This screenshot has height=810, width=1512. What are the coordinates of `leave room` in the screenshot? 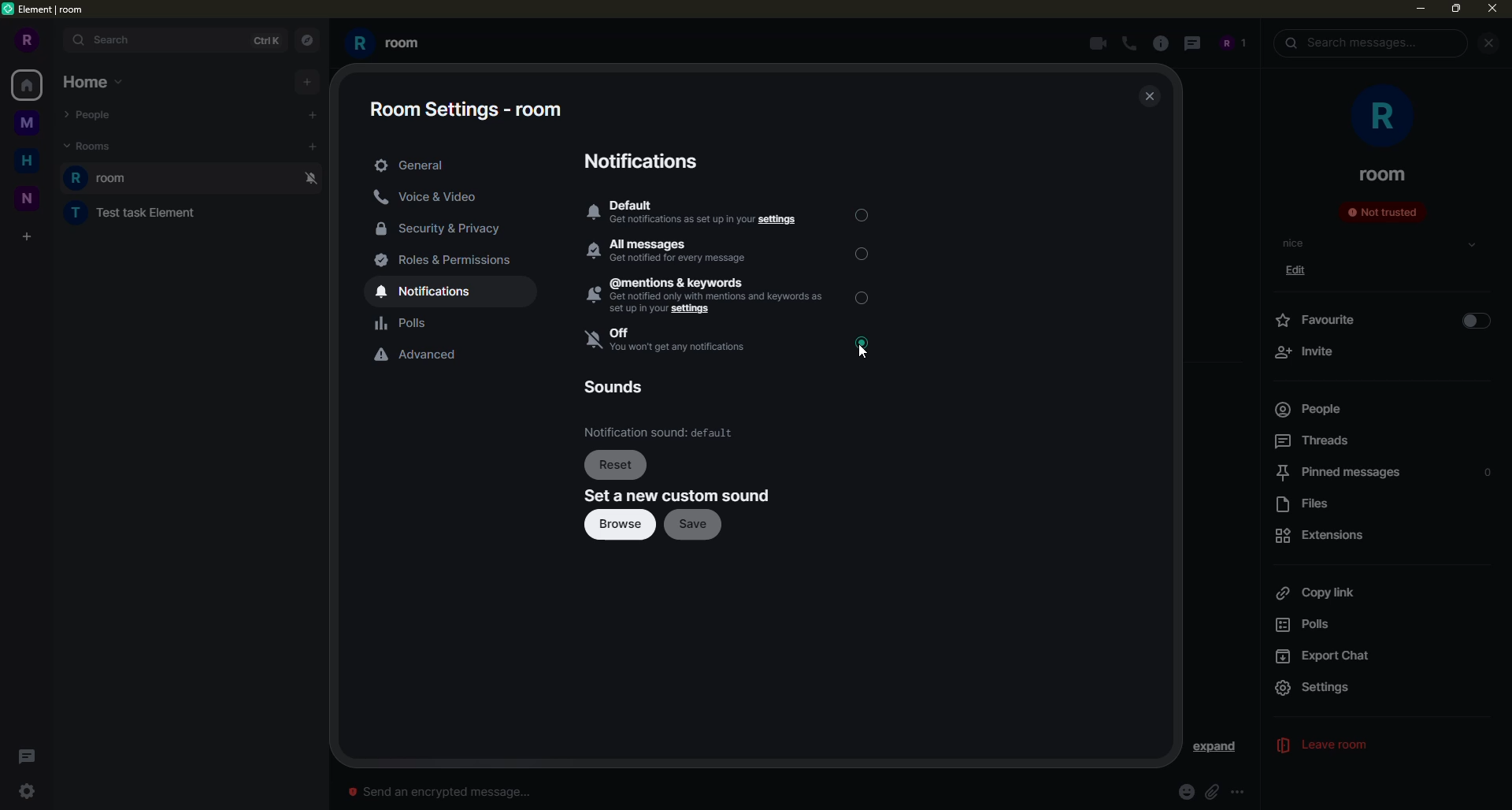 It's located at (1335, 746).